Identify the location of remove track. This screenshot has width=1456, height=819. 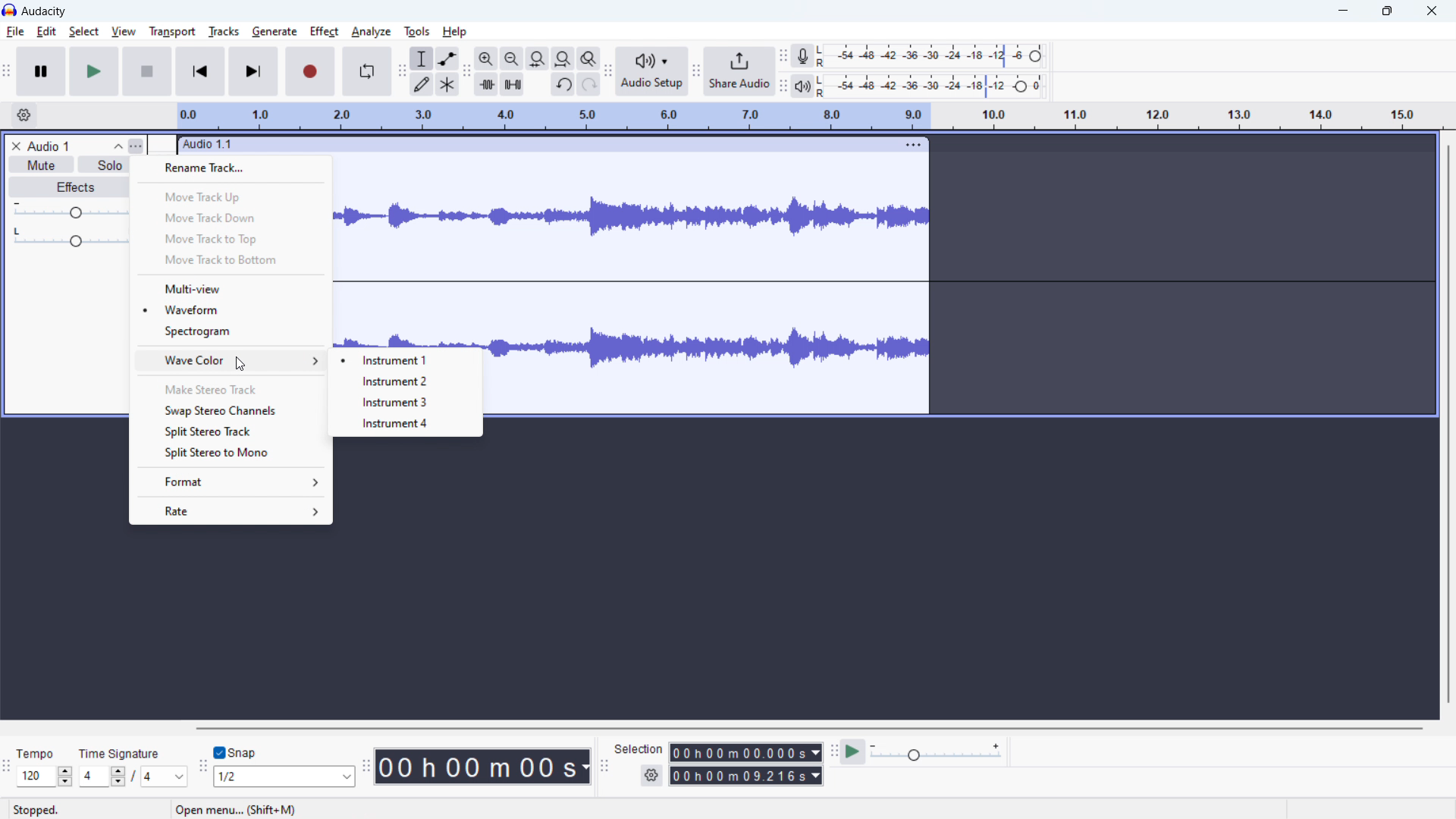
(15, 146).